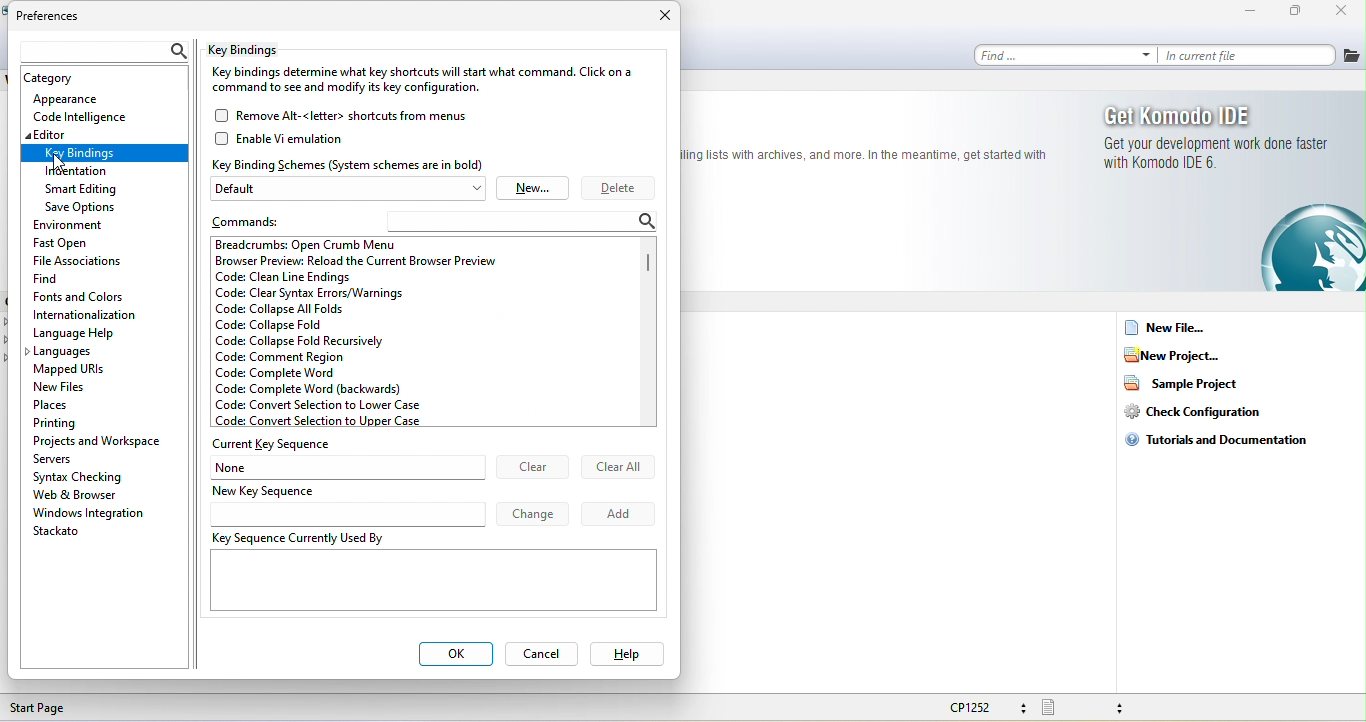 Image resolution: width=1366 pixels, height=722 pixels. What do you see at coordinates (1223, 438) in the screenshot?
I see `tutorials and documentation` at bounding box center [1223, 438].